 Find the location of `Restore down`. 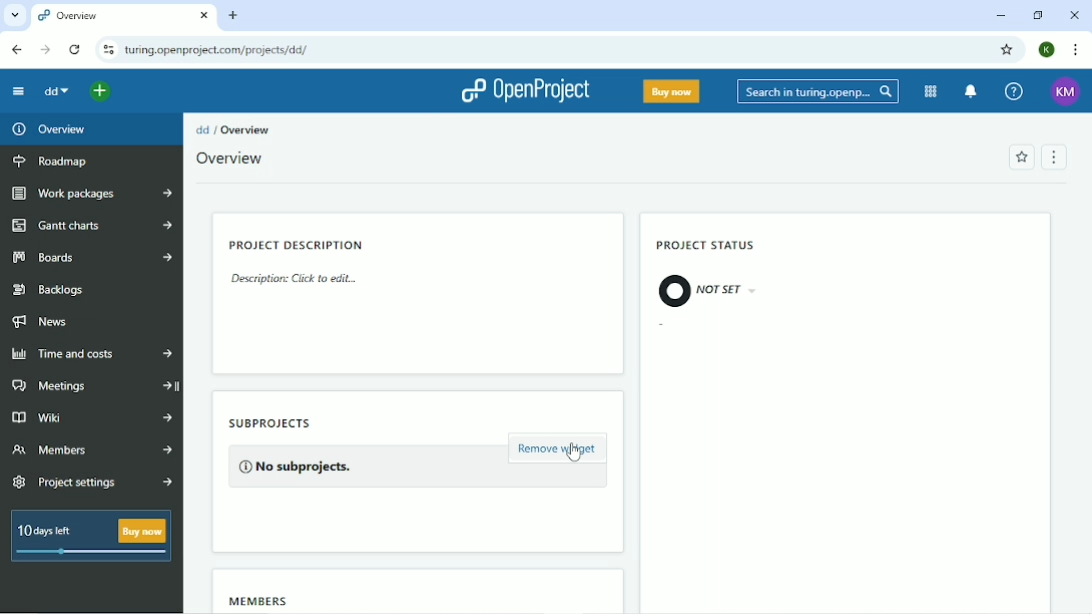

Restore down is located at coordinates (1036, 15).